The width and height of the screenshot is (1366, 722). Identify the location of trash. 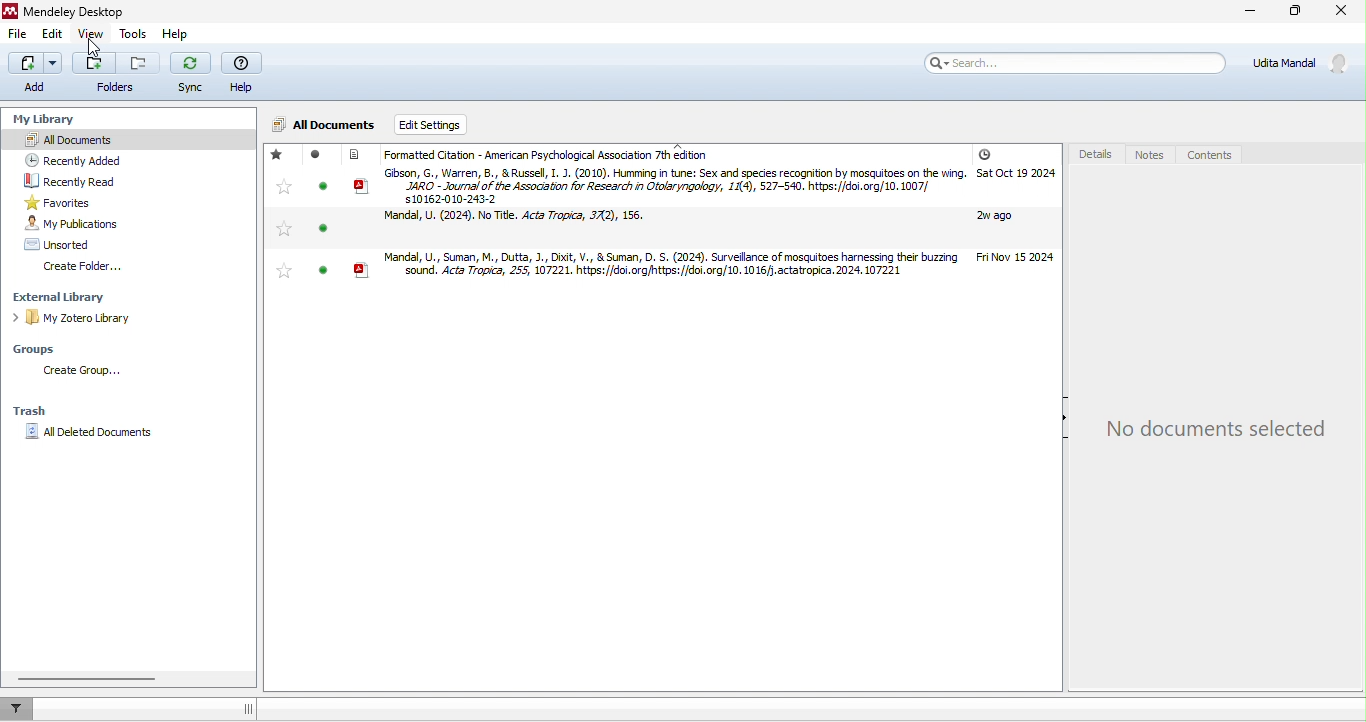
(31, 411).